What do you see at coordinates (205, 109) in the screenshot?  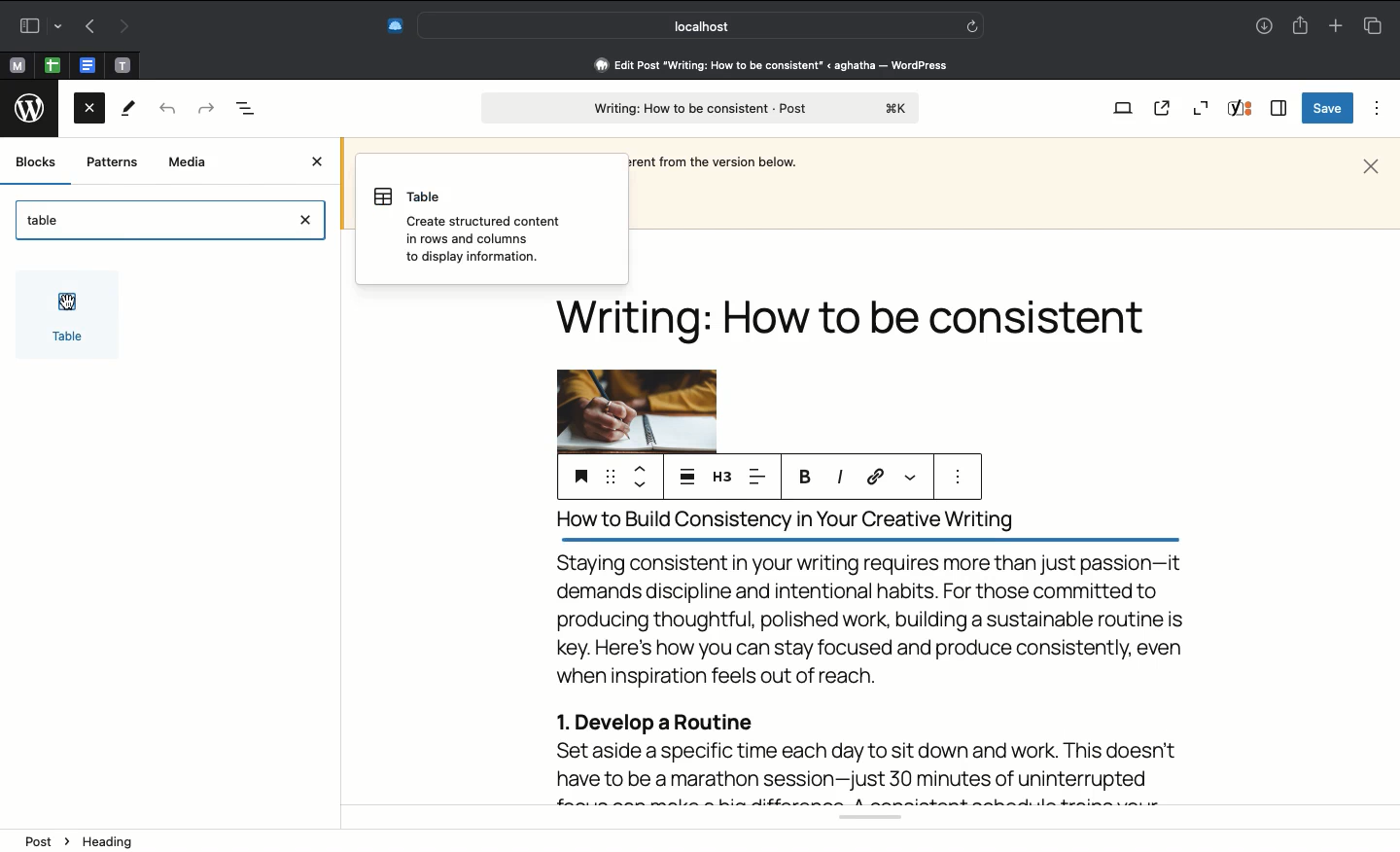 I see `Forward` at bounding box center [205, 109].